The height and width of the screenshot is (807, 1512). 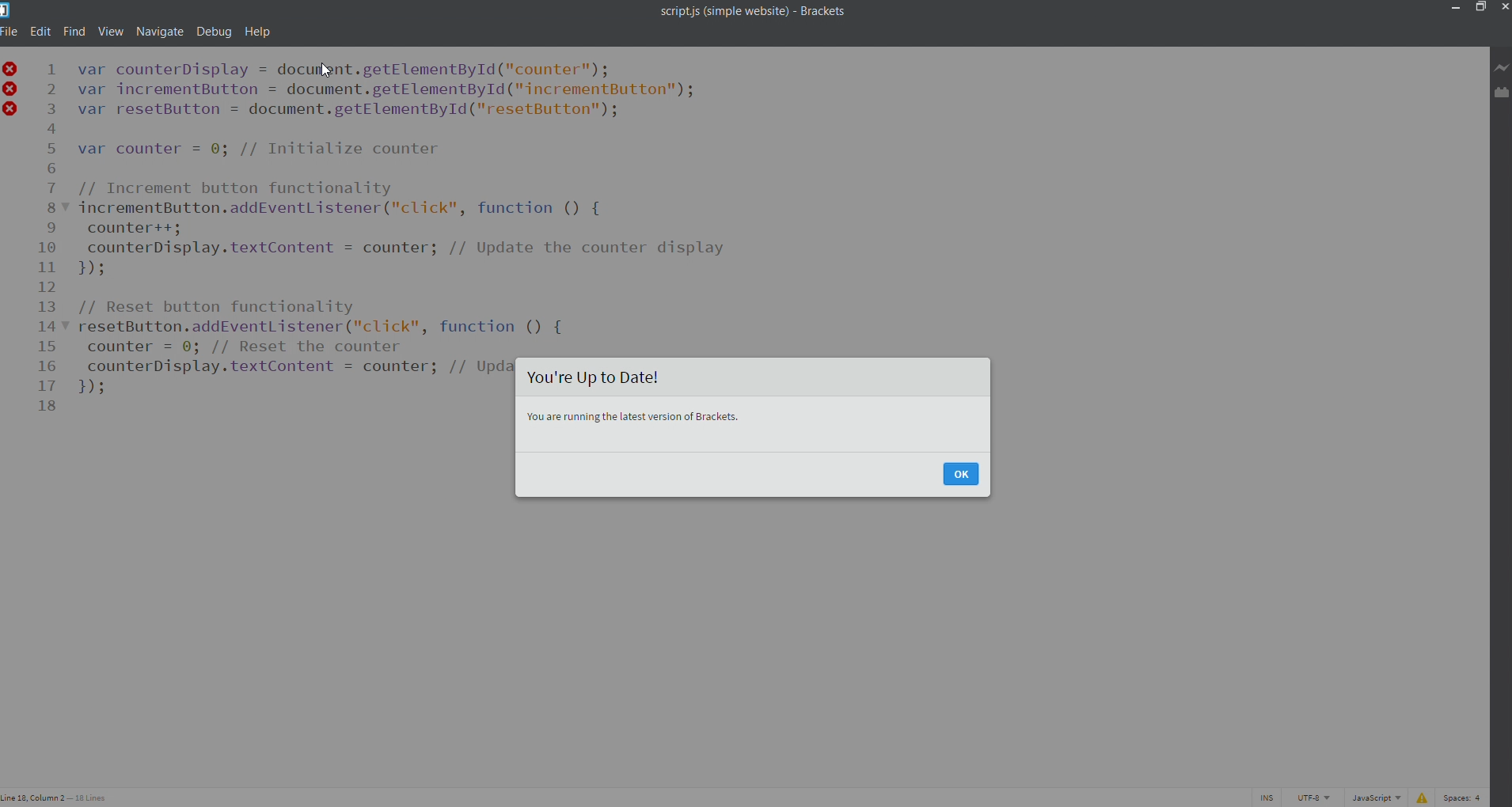 What do you see at coordinates (10, 94) in the screenshot?
I see `error status` at bounding box center [10, 94].